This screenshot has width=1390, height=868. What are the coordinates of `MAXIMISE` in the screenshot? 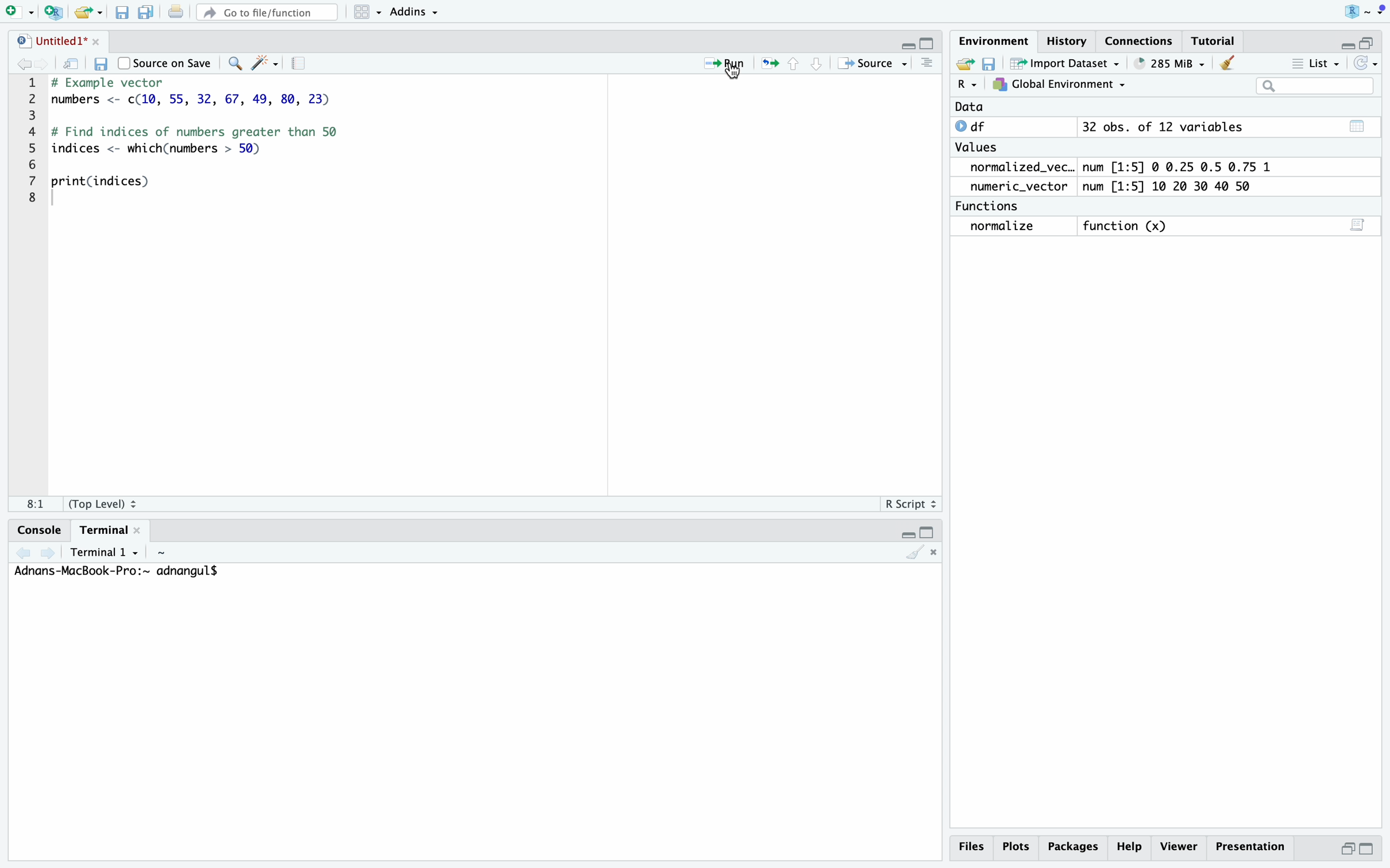 It's located at (930, 530).